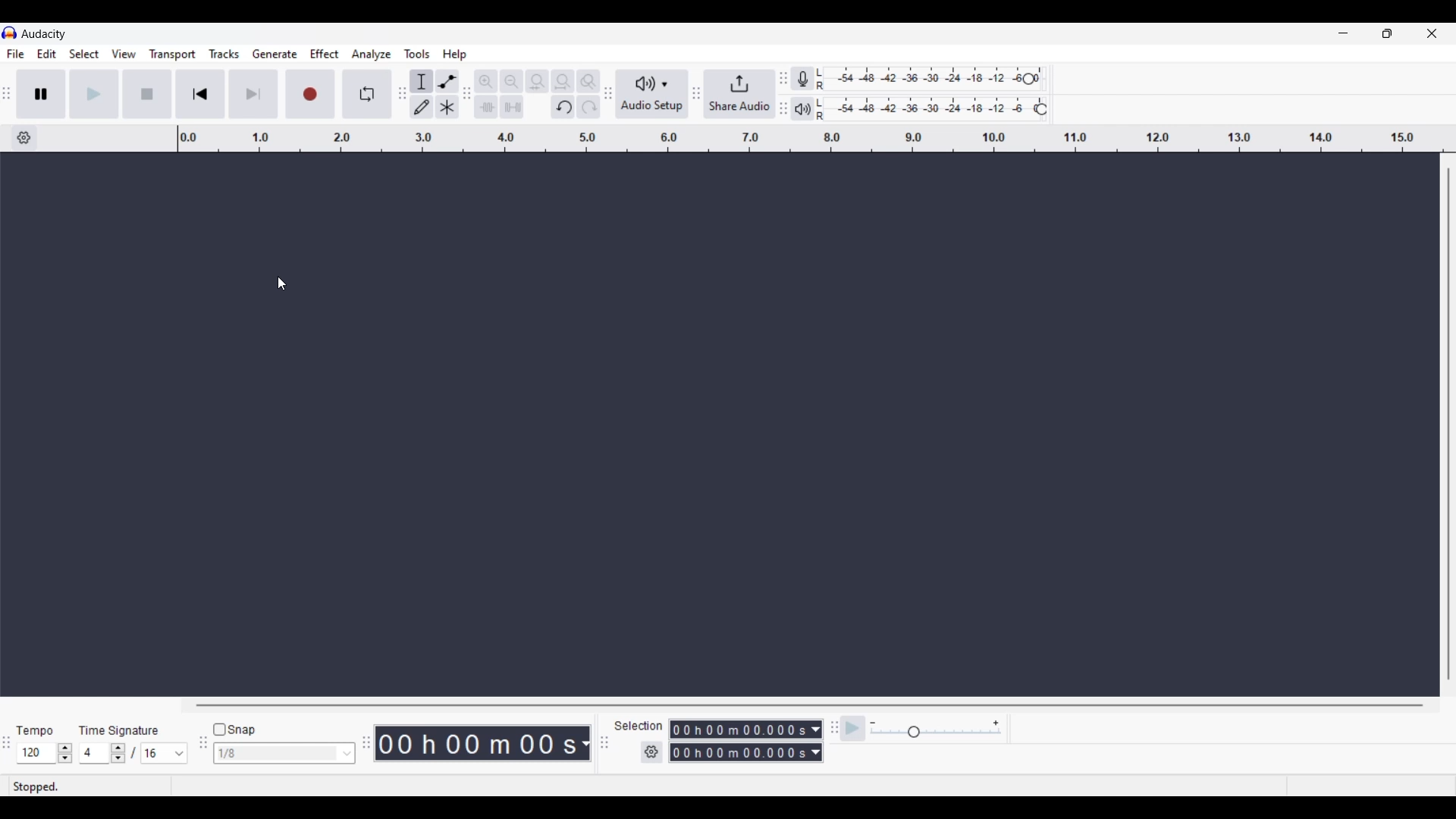  Describe the element at coordinates (94, 754) in the screenshot. I see `Selected time signature` at that location.